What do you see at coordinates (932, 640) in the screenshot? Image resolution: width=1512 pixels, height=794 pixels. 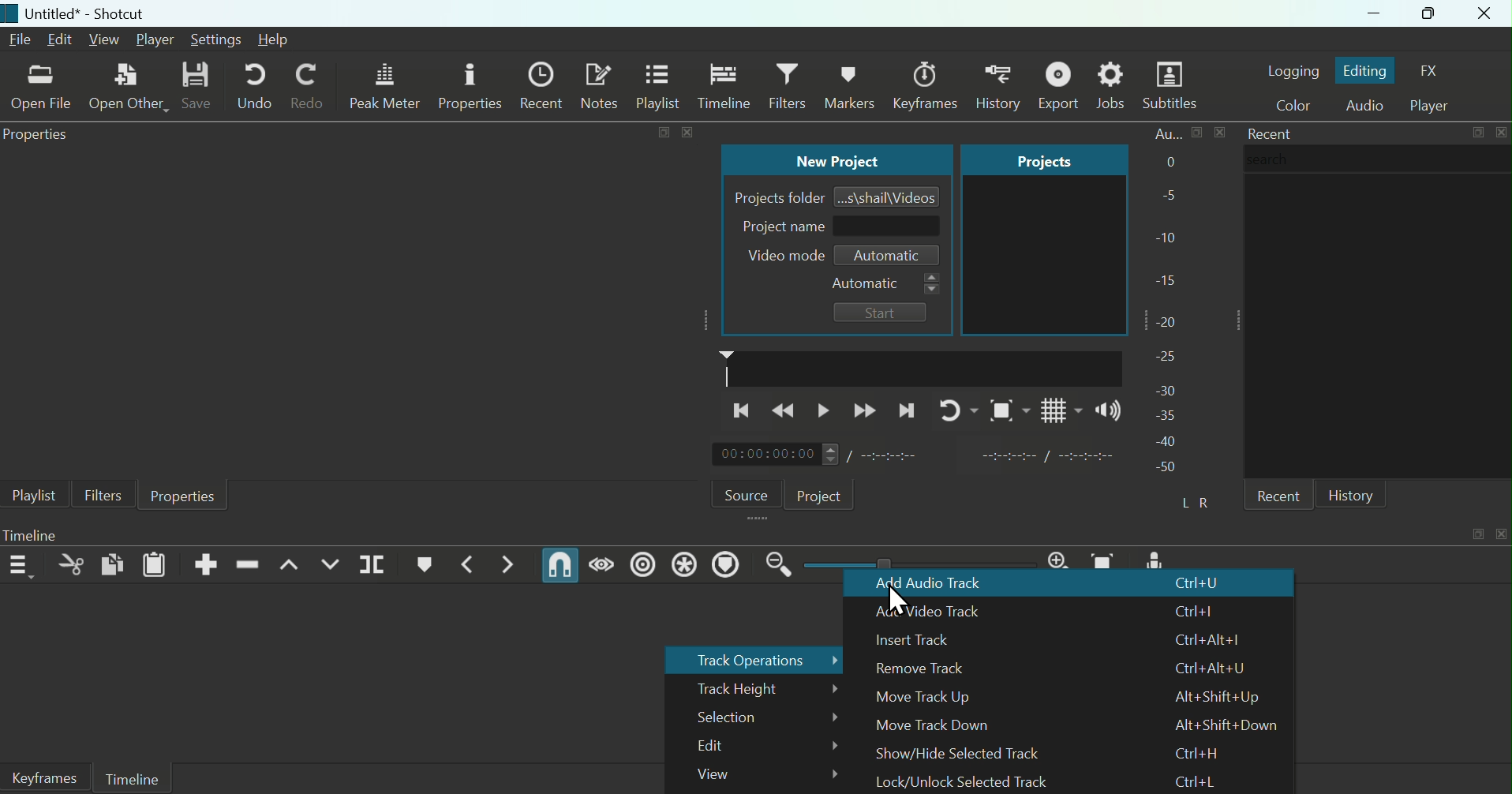 I see `Insert Track` at bounding box center [932, 640].